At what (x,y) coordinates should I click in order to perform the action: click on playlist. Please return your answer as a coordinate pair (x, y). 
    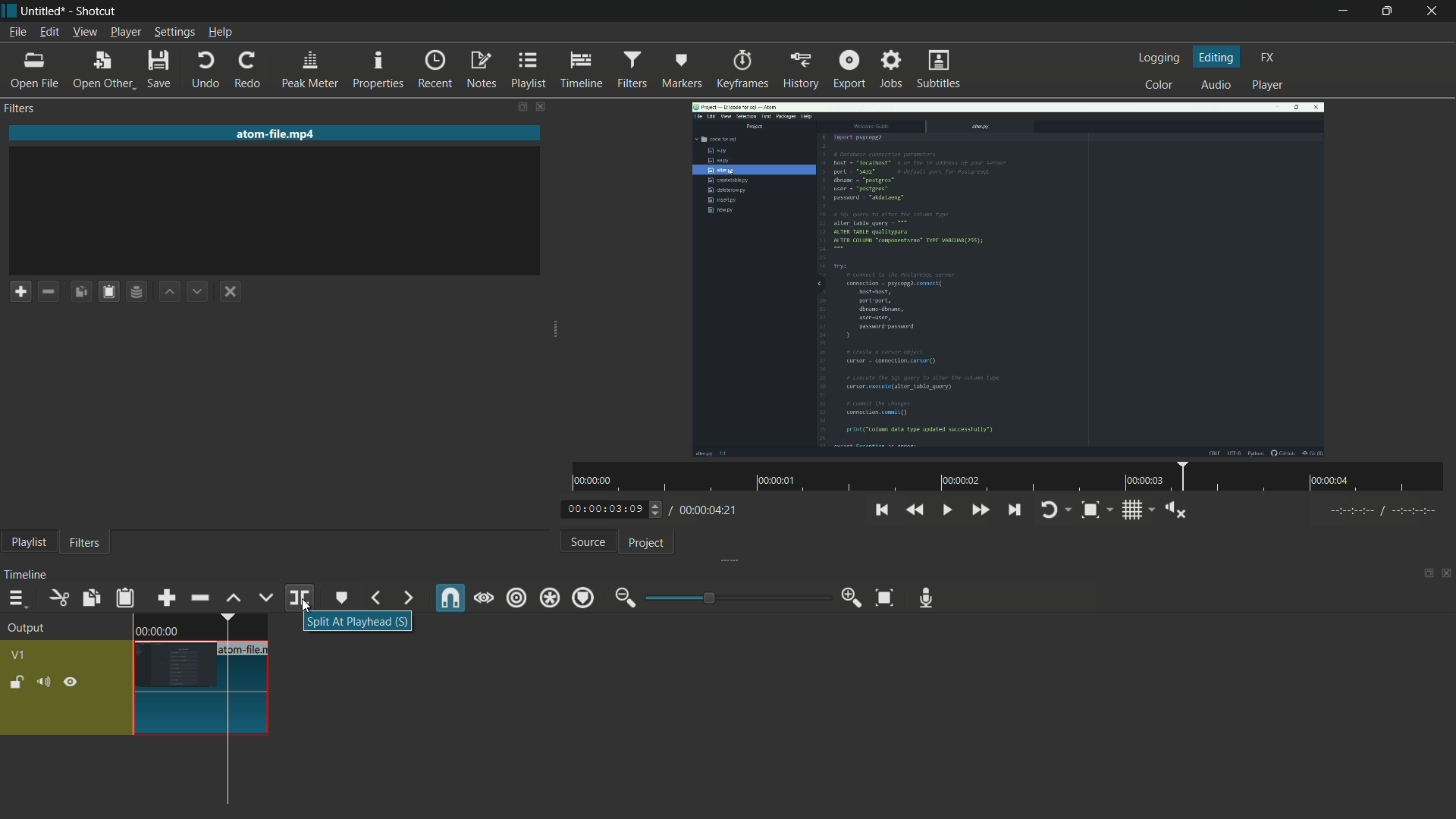
    Looking at the image, I should click on (30, 543).